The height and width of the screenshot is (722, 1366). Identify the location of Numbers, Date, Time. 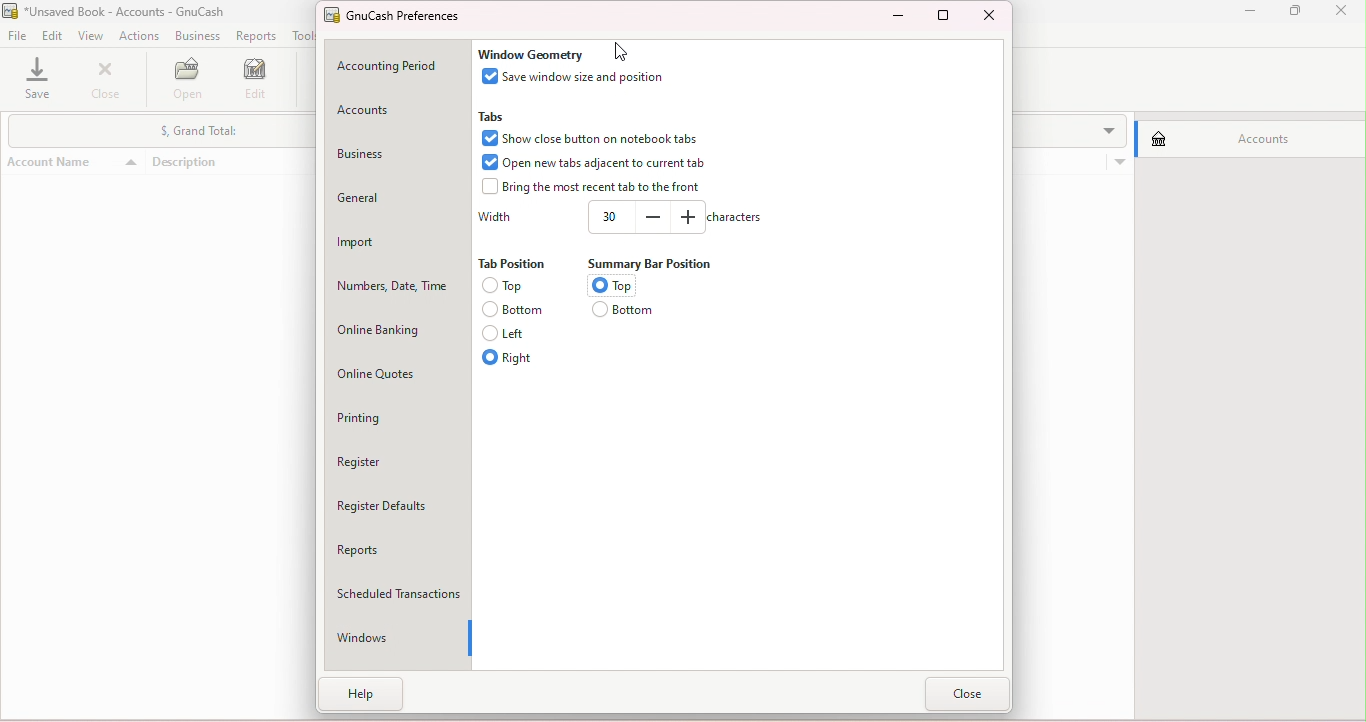
(392, 279).